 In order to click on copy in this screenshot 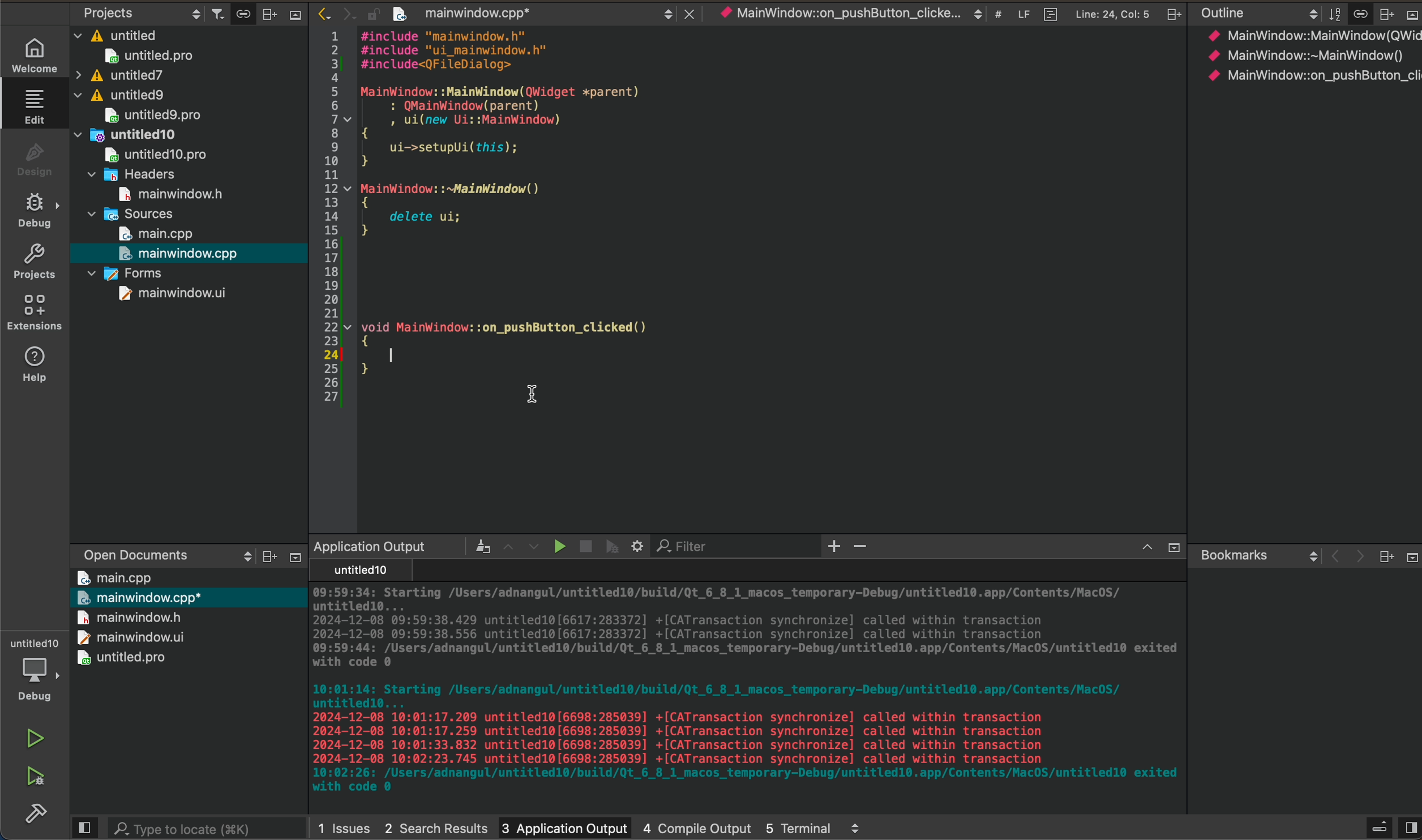, I will do `click(240, 14)`.